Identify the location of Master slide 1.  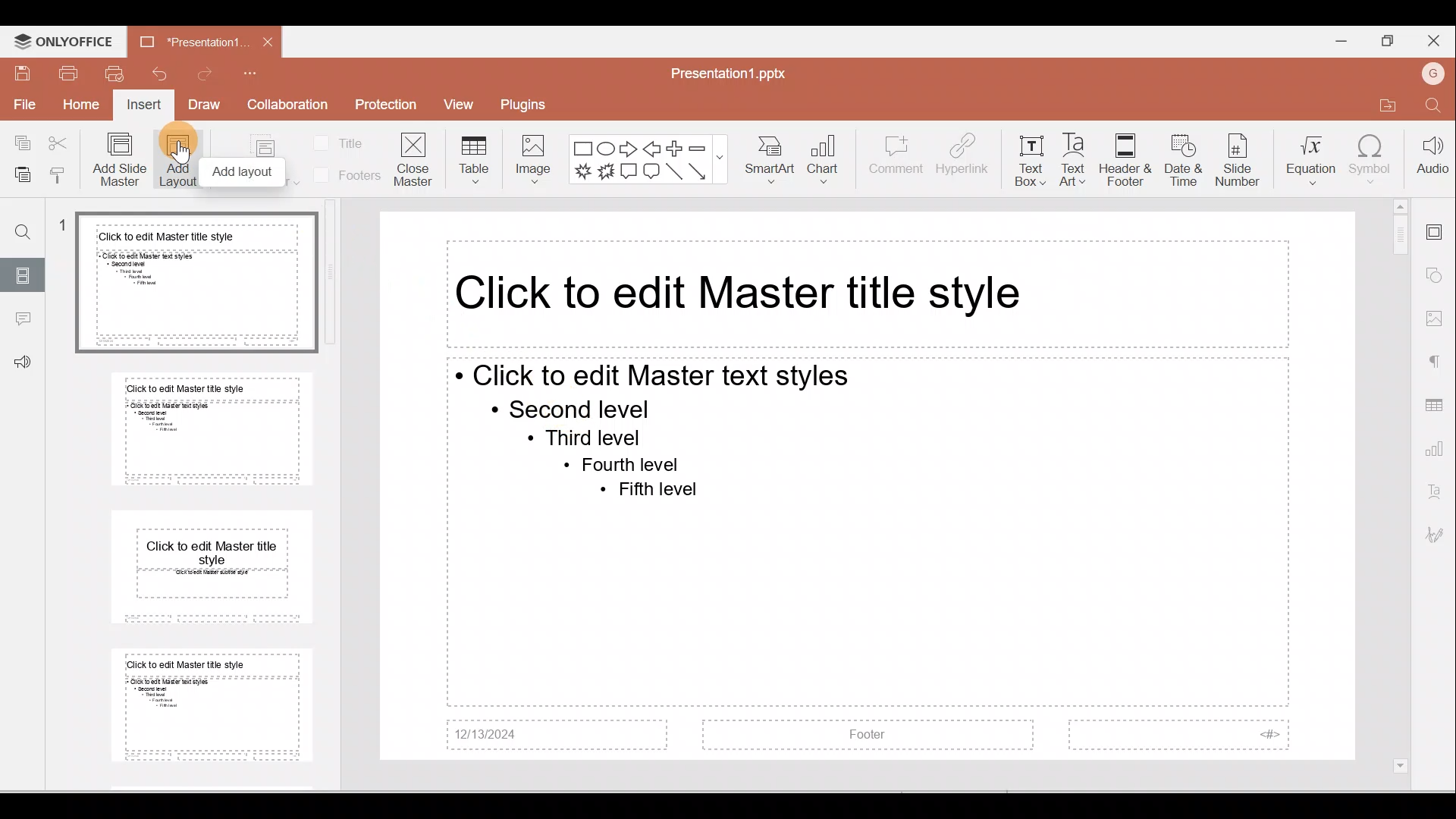
(196, 283).